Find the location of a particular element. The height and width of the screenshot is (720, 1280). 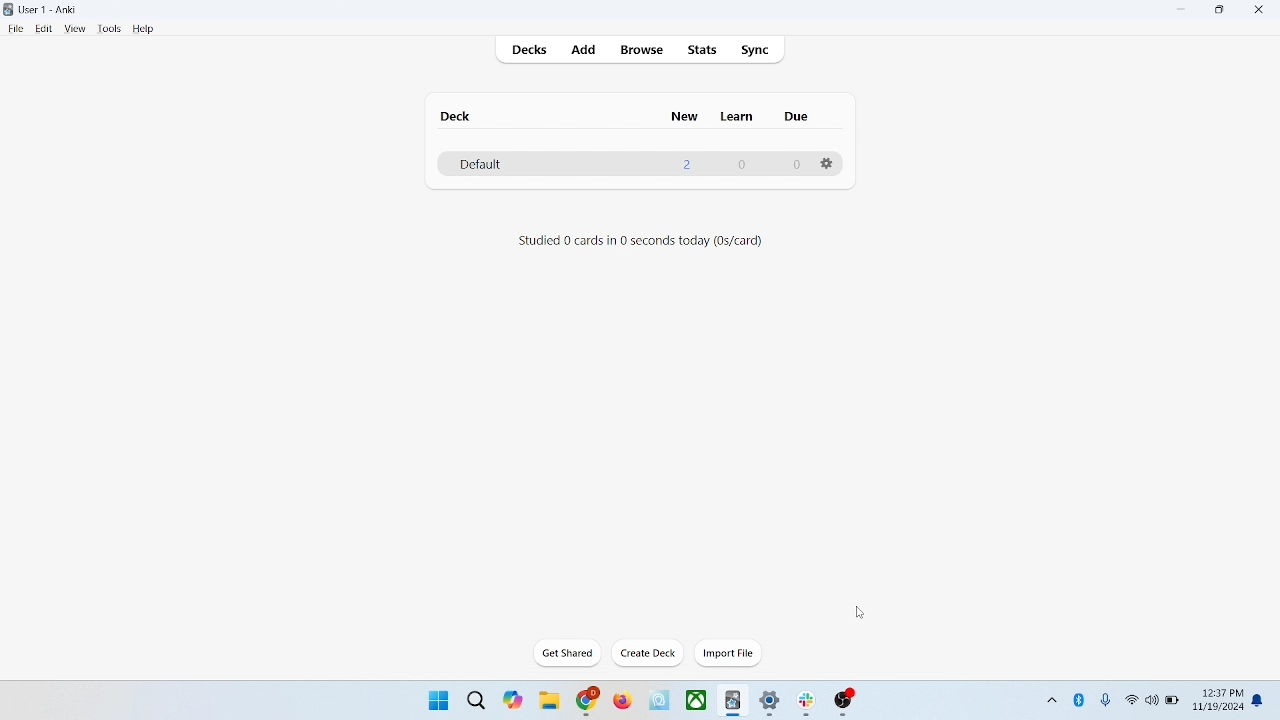

minimize is located at coordinates (1183, 10).